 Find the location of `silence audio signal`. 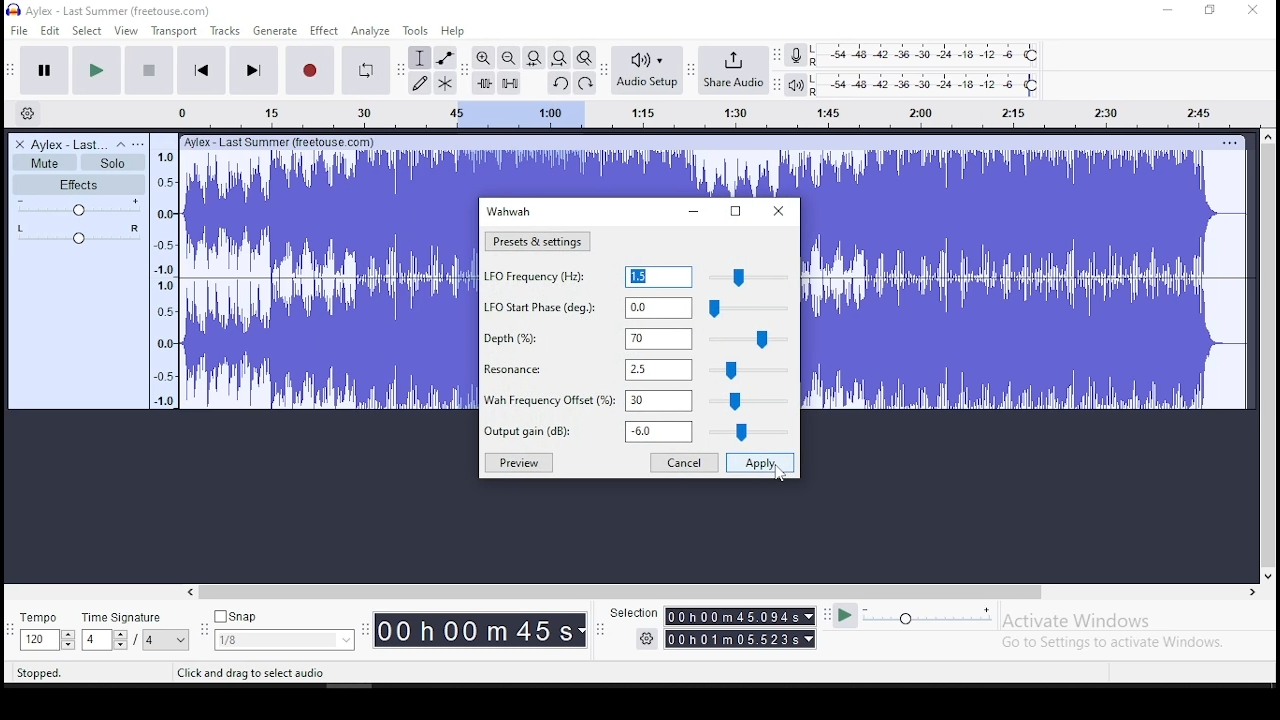

silence audio signal is located at coordinates (509, 81).